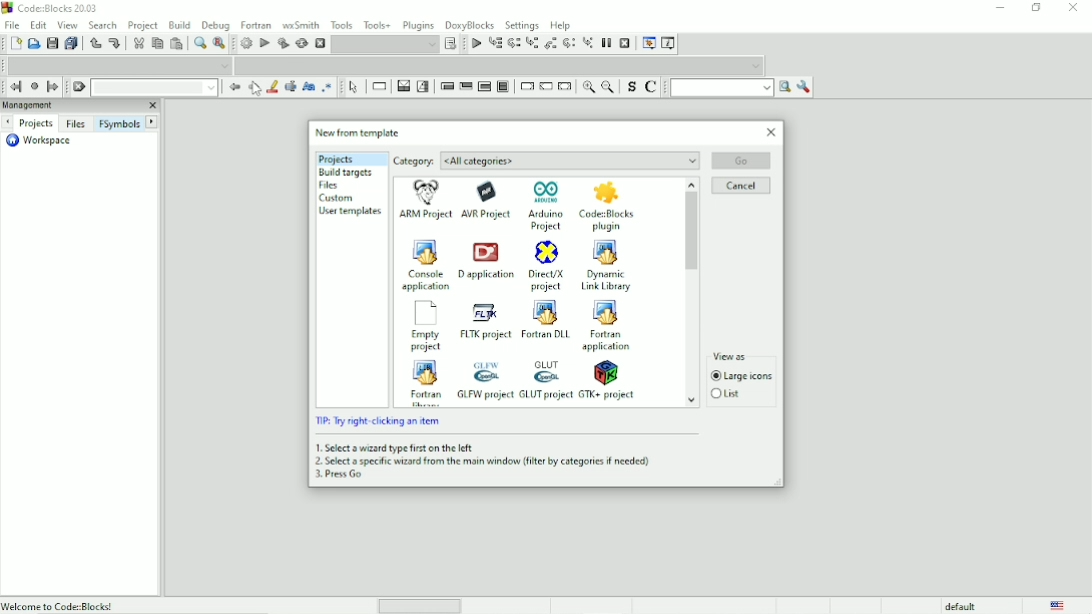  I want to click on Rebuild, so click(301, 43).